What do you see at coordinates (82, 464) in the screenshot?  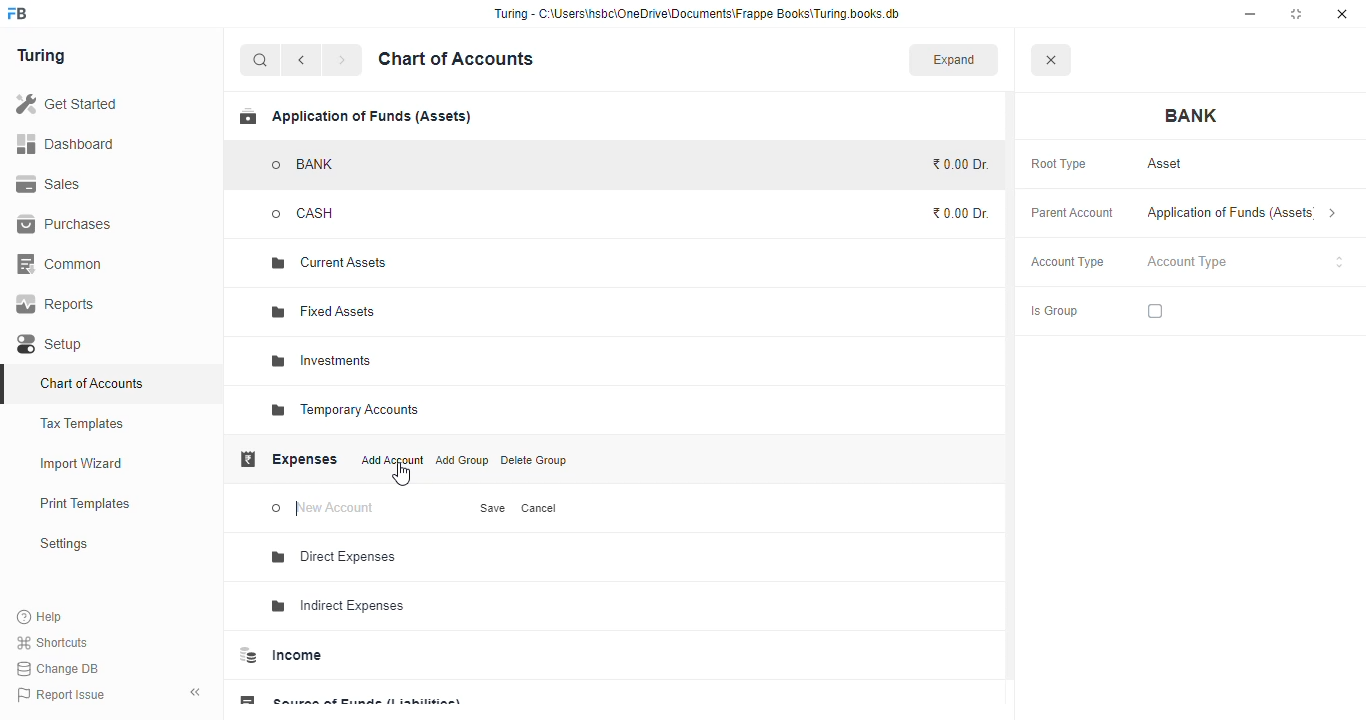 I see `import wizard` at bounding box center [82, 464].